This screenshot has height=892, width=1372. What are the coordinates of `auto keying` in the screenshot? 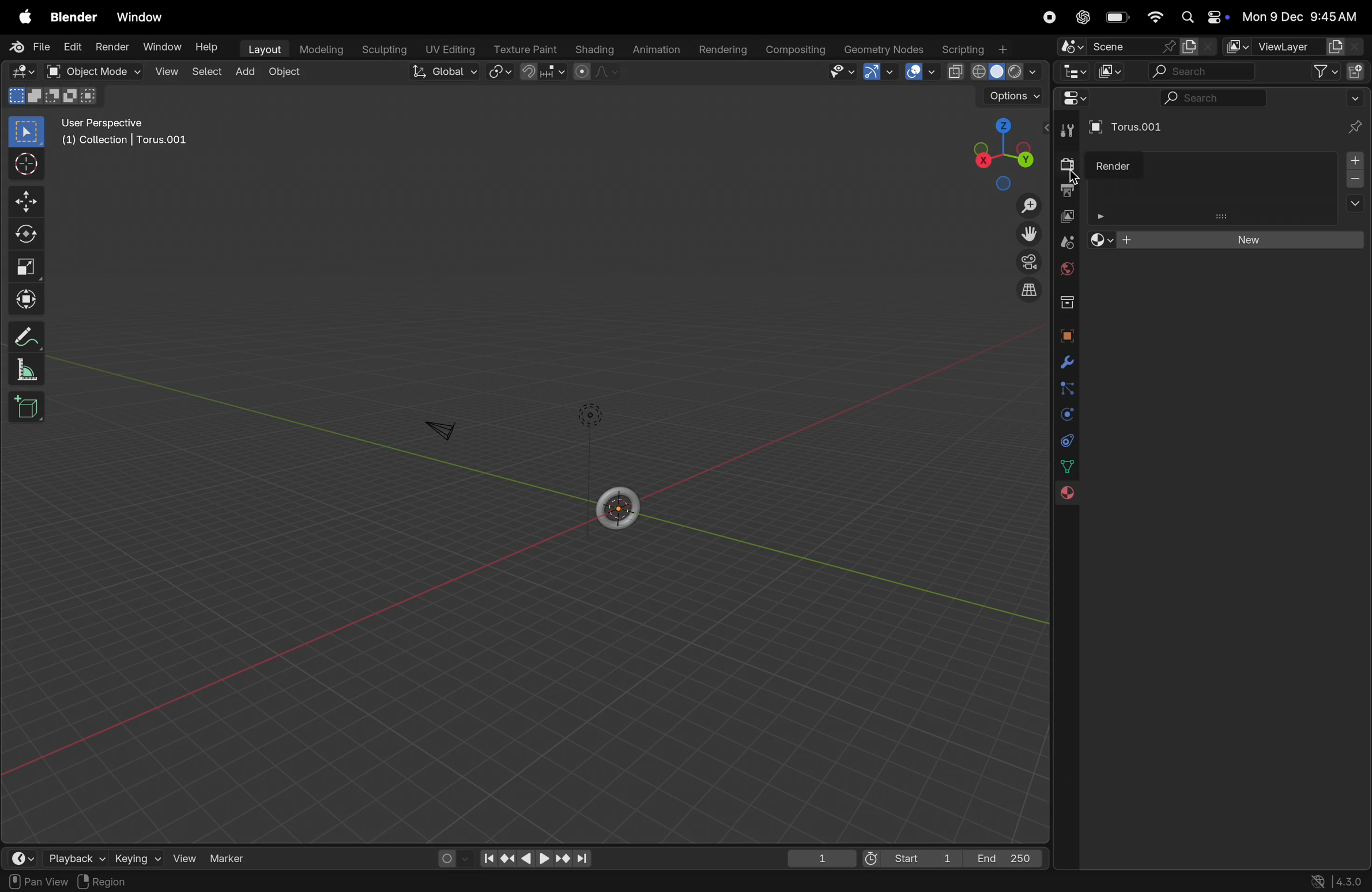 It's located at (447, 857).